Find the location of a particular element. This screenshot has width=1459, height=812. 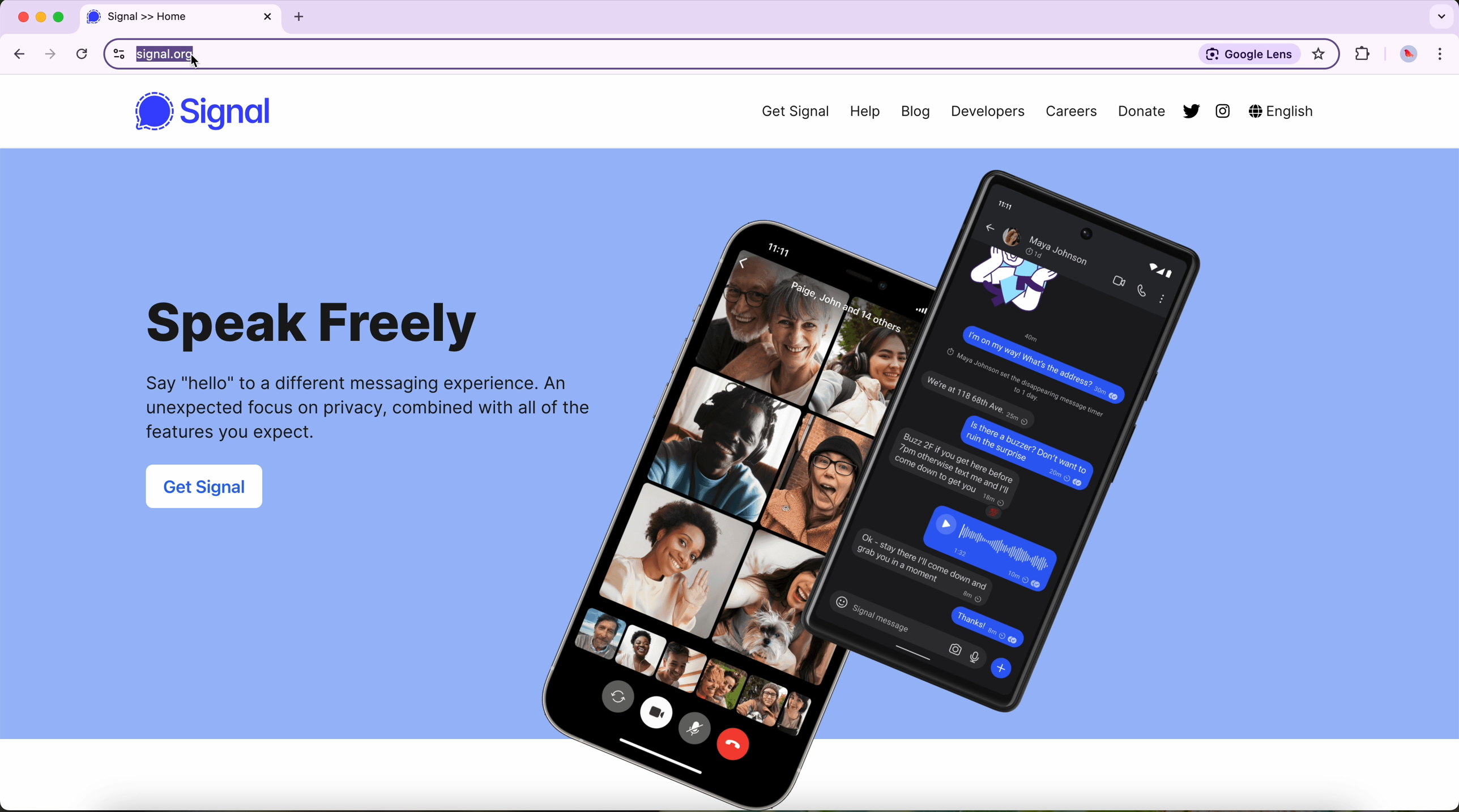

highlight is located at coordinates (1319, 55).